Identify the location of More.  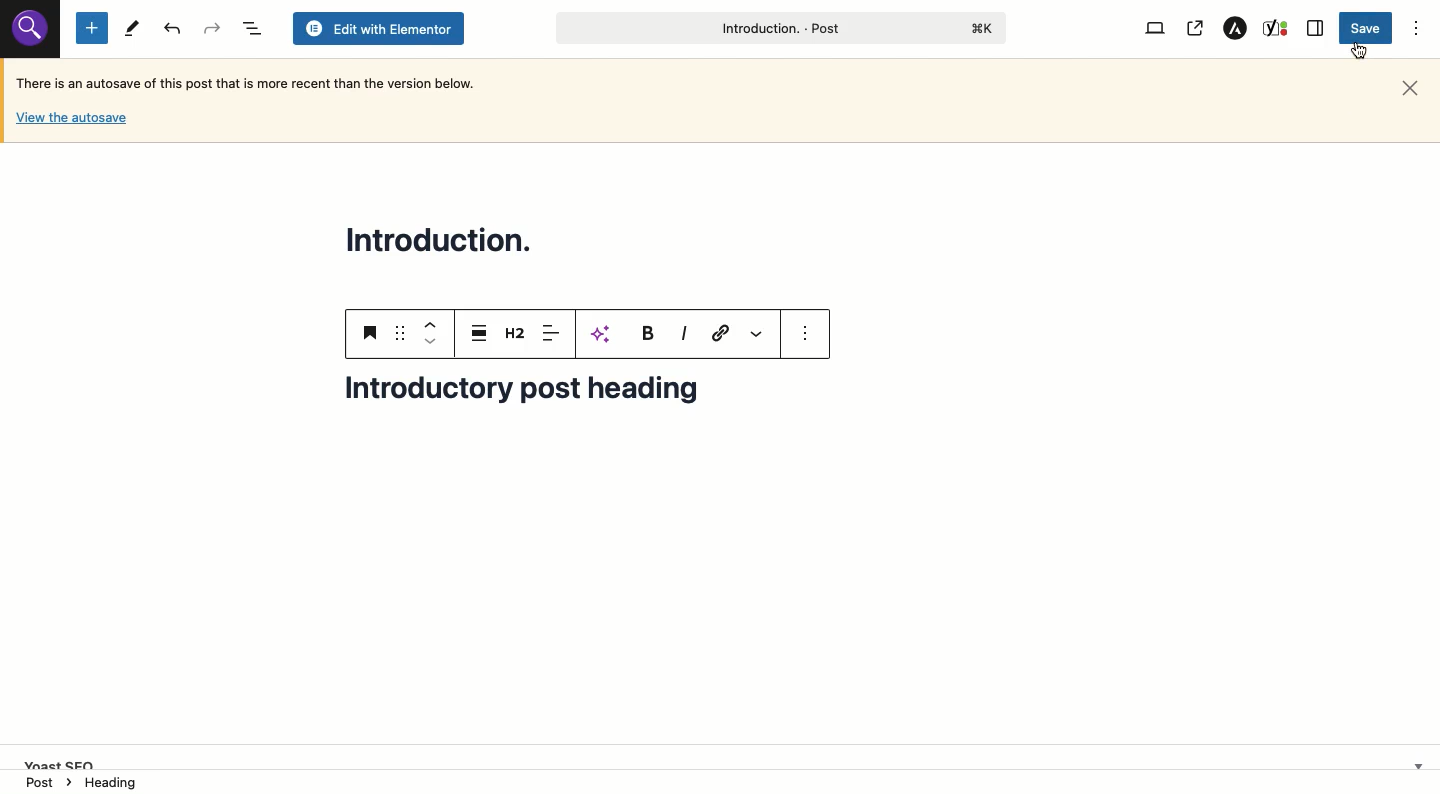
(759, 334).